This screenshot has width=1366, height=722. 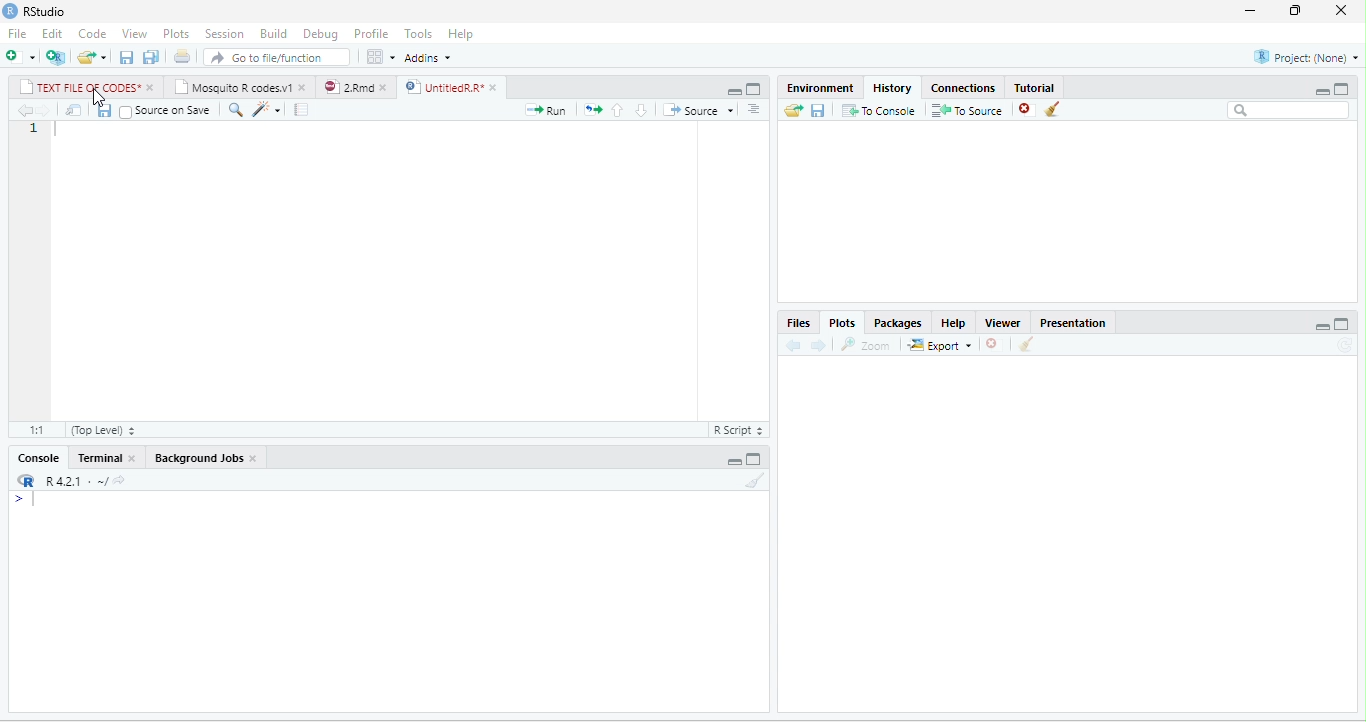 What do you see at coordinates (92, 34) in the screenshot?
I see `Code` at bounding box center [92, 34].